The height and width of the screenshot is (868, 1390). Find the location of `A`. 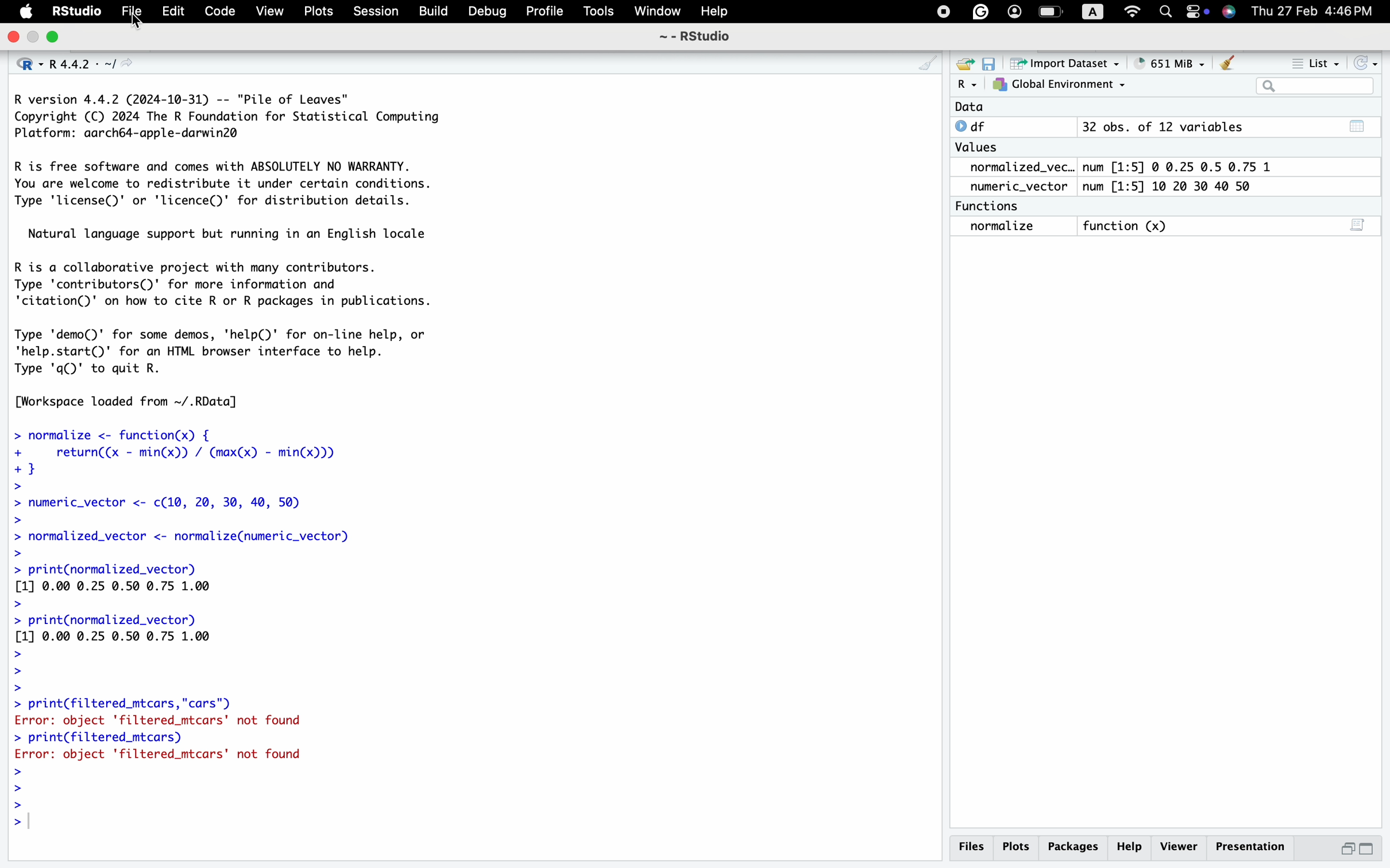

A is located at coordinates (1092, 10).